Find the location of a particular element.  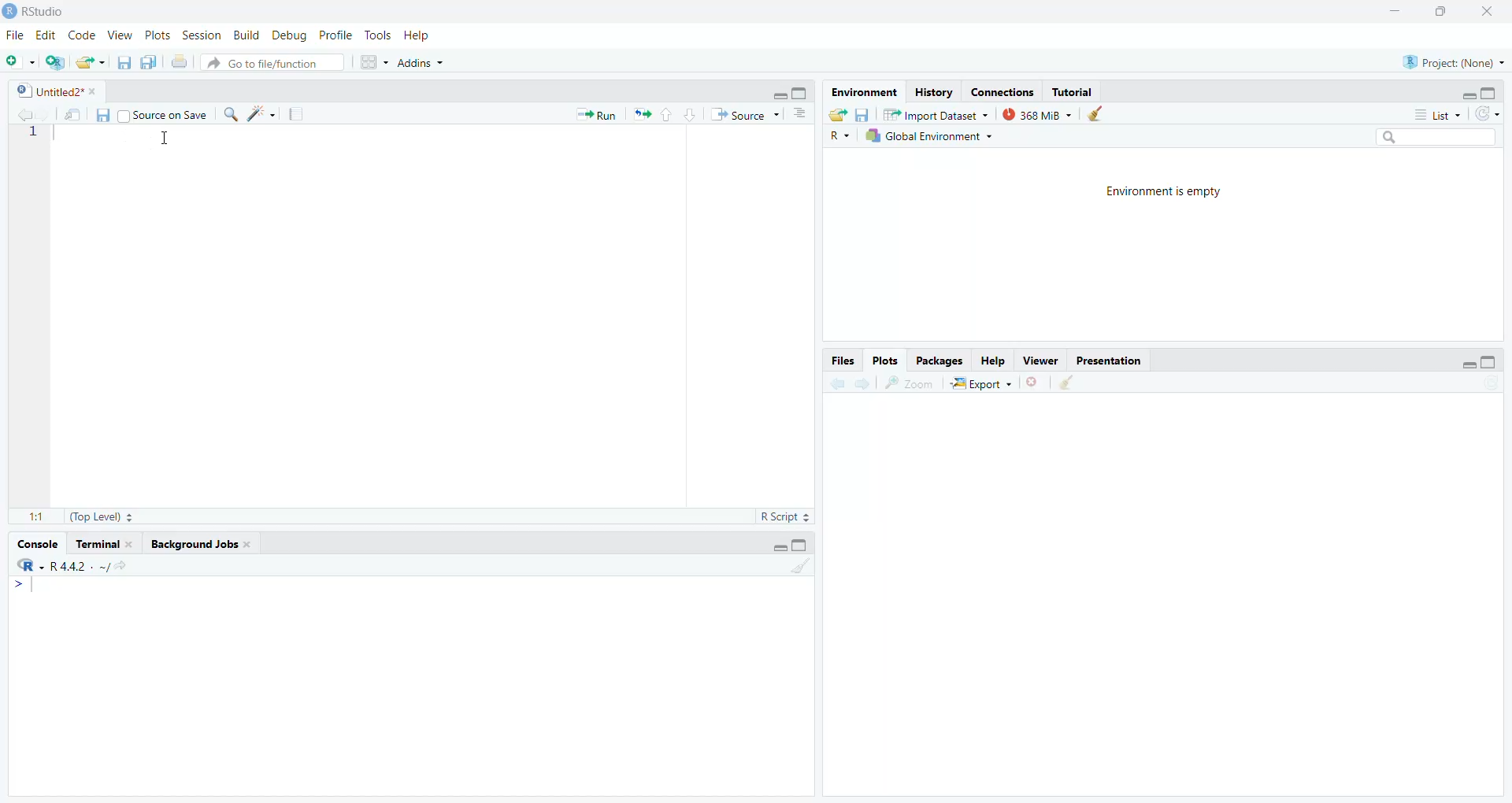

clear is located at coordinates (1069, 385).